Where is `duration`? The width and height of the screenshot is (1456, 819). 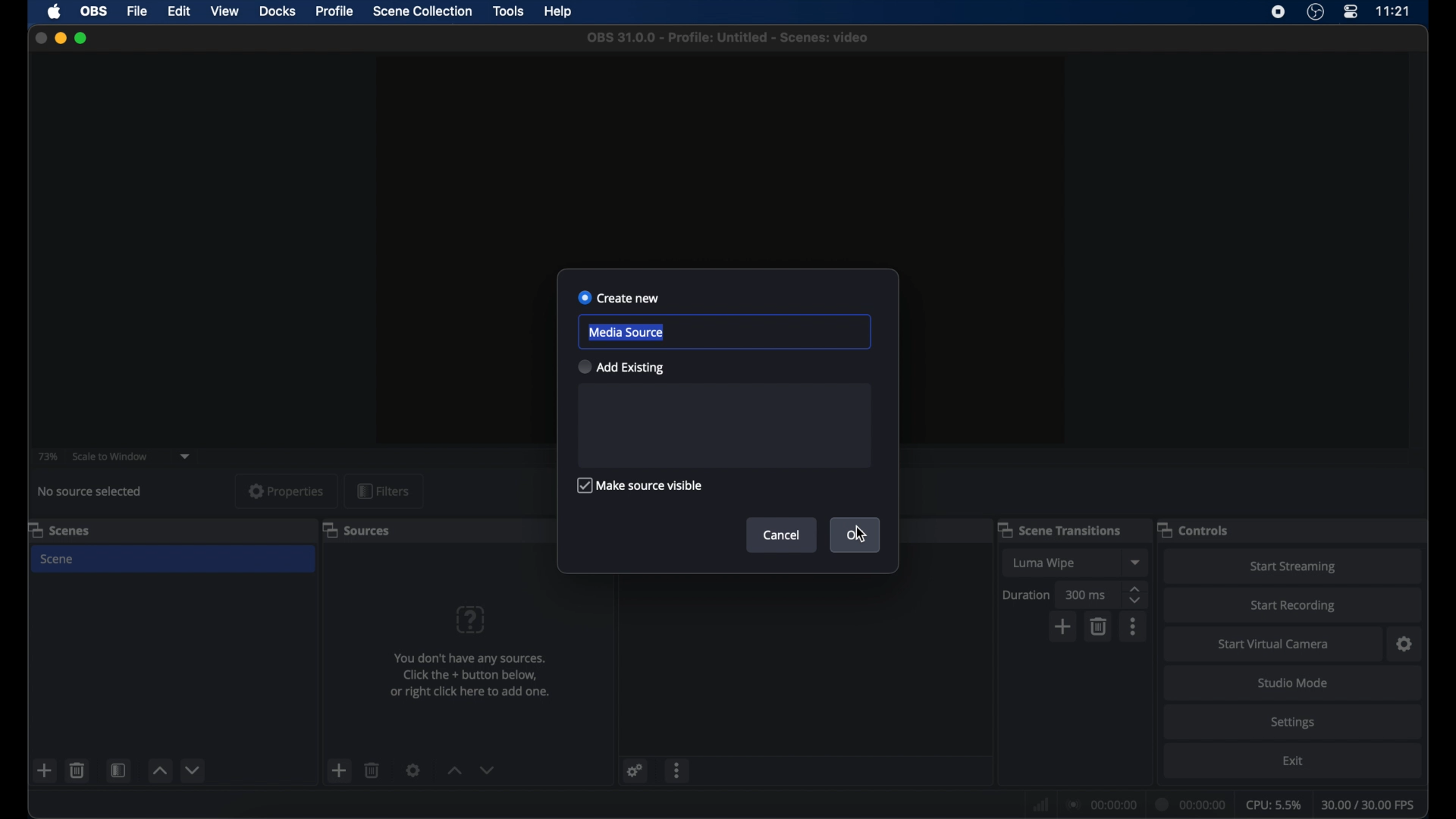 duration is located at coordinates (1028, 595).